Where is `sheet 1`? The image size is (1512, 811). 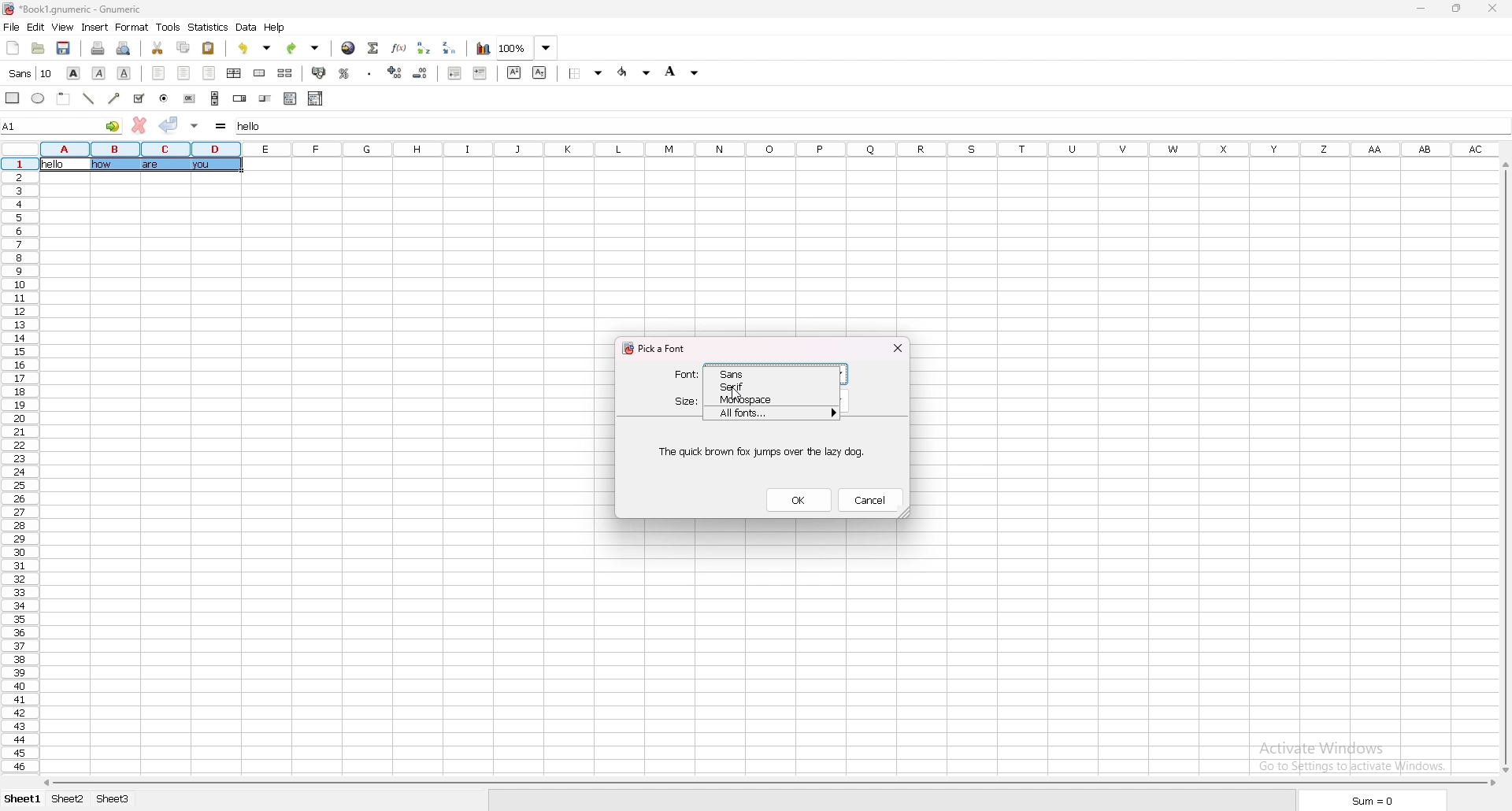
sheet 1 is located at coordinates (21, 801).